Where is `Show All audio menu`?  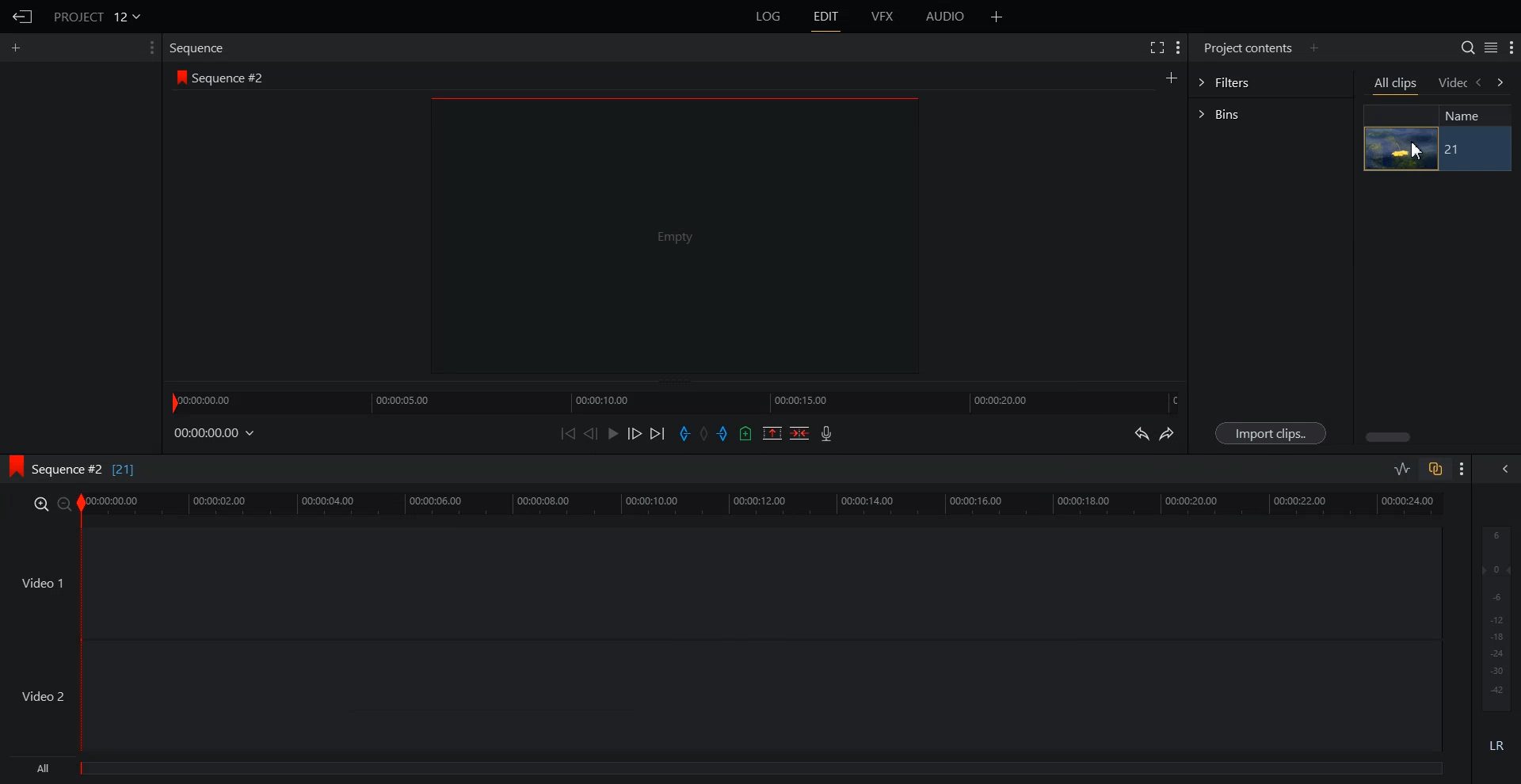
Show All audio menu is located at coordinates (1504, 469).